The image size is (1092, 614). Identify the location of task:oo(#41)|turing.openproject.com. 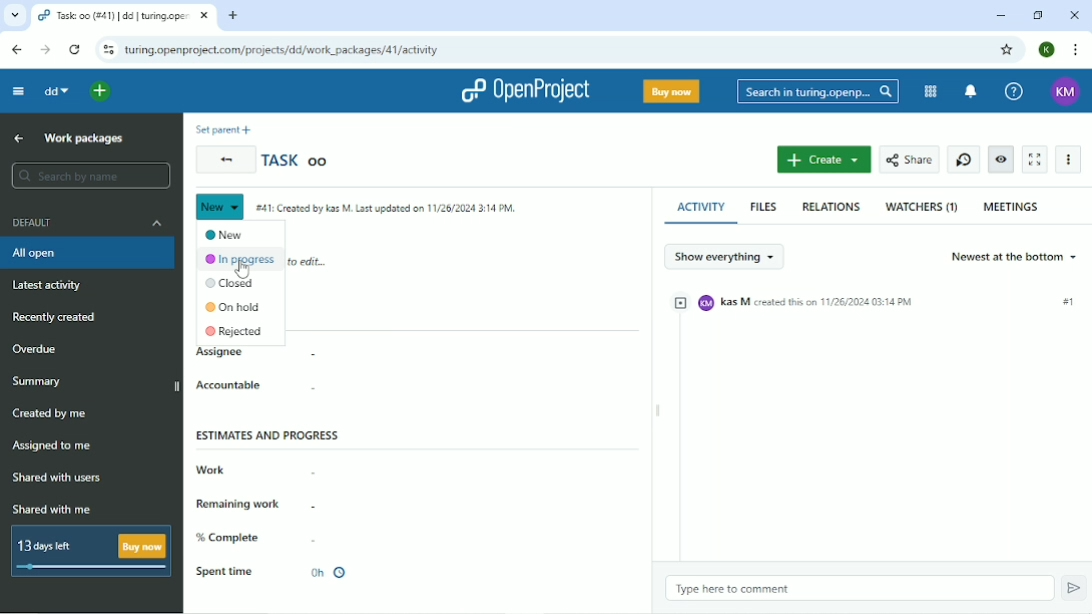
(122, 16).